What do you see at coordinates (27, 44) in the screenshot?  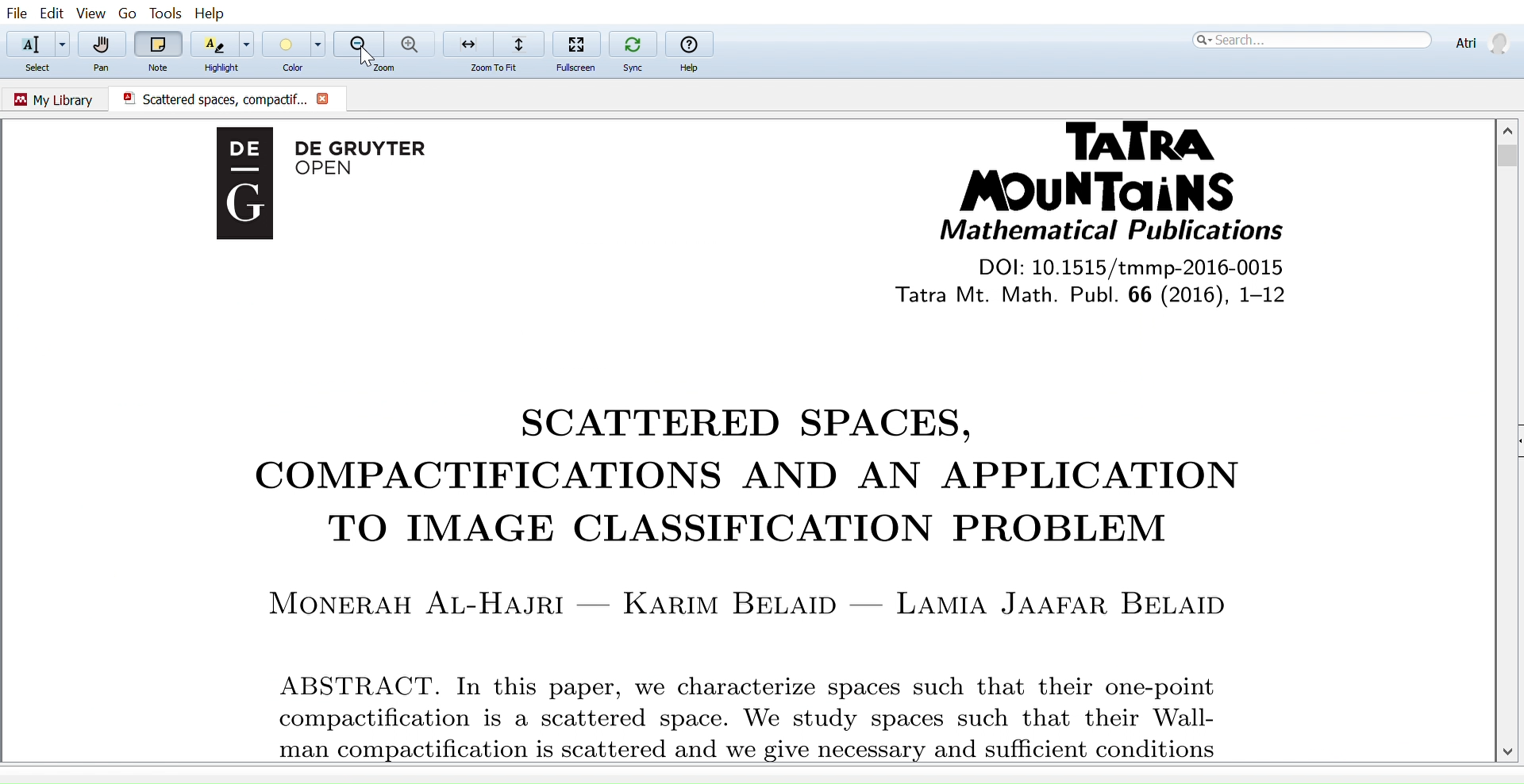 I see `Select text` at bounding box center [27, 44].